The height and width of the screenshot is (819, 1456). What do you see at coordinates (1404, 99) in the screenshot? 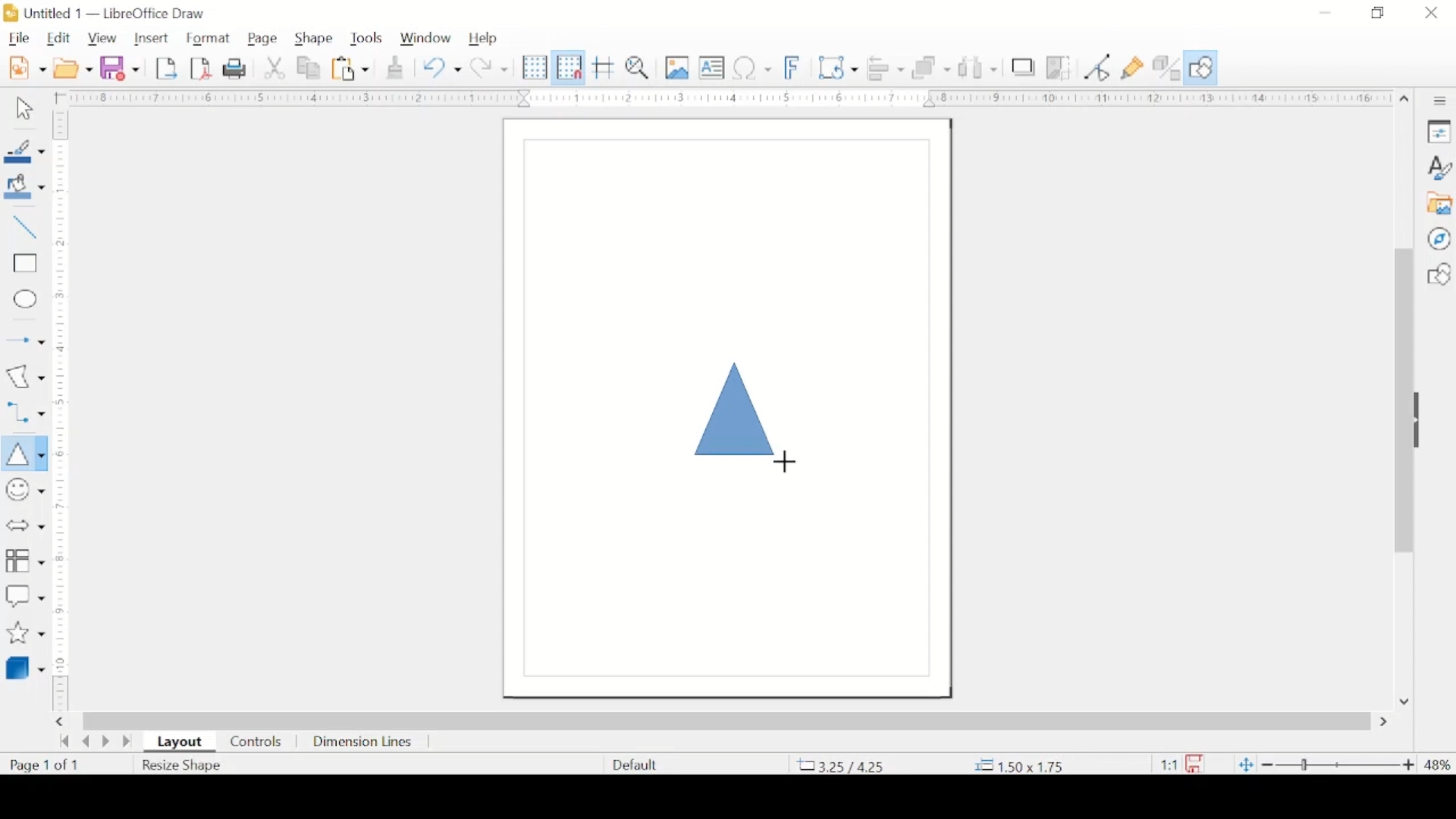
I see `scroll up ` at bounding box center [1404, 99].